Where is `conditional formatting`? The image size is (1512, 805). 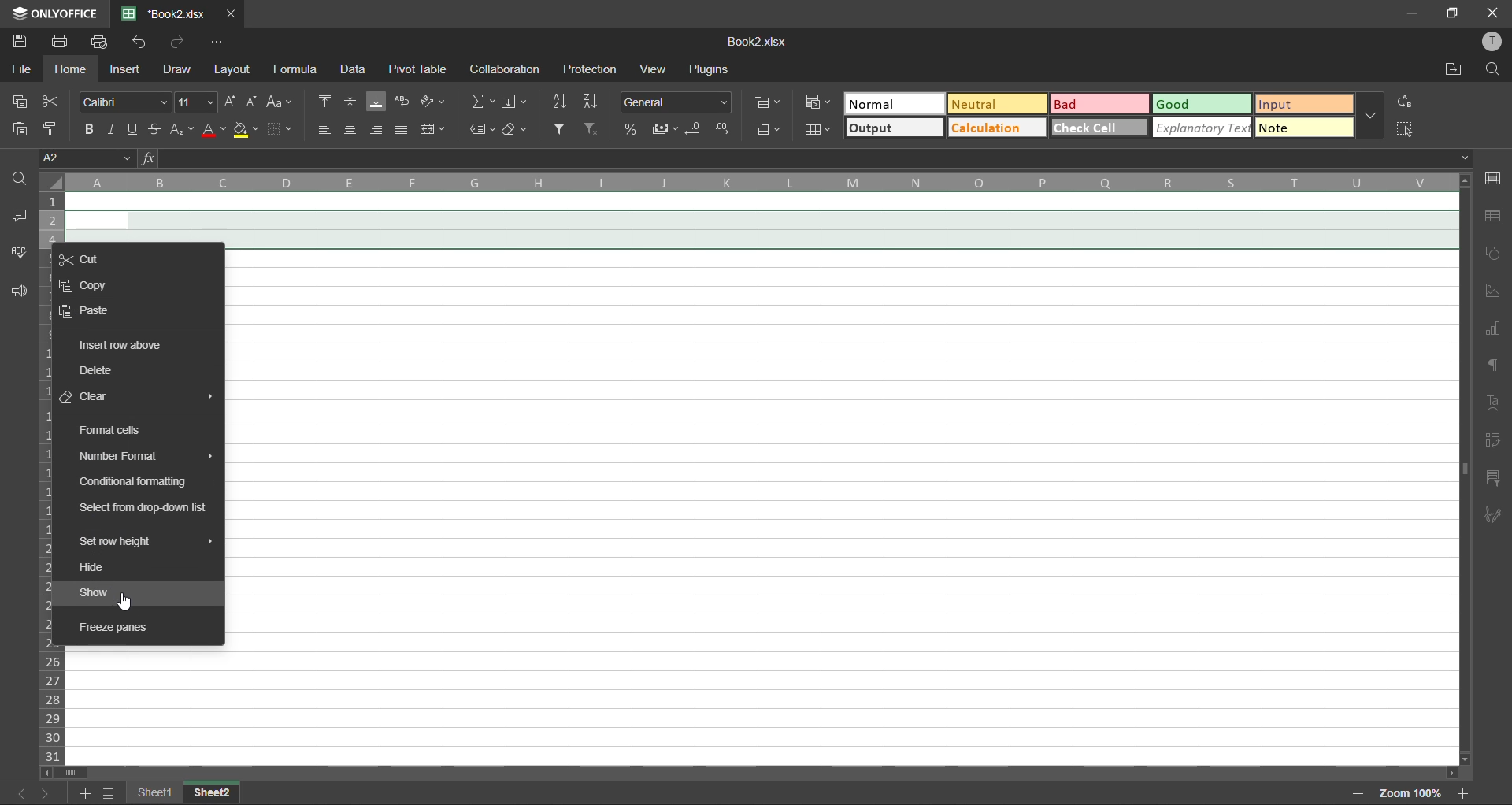 conditional formatting is located at coordinates (819, 101).